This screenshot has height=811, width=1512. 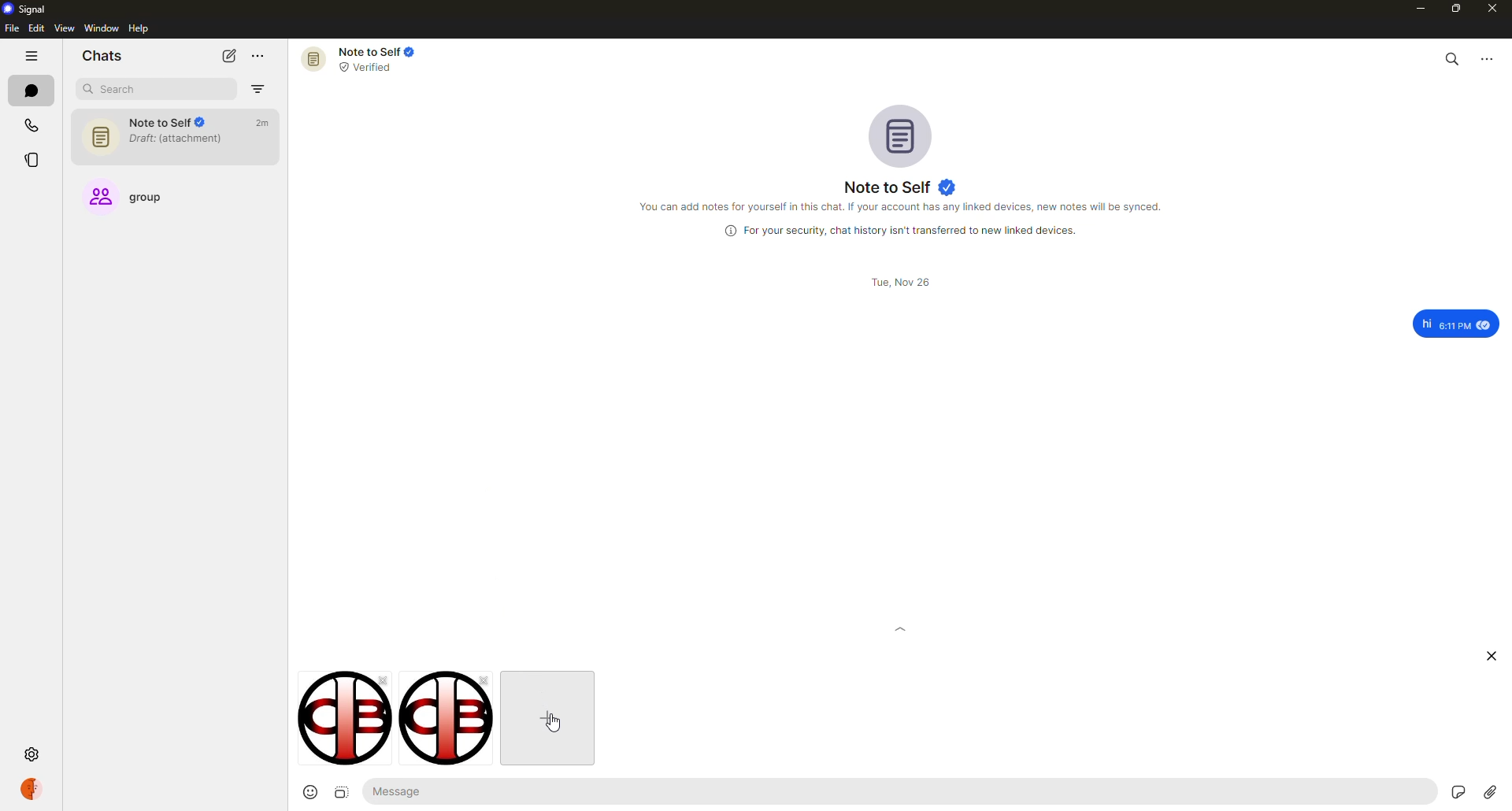 I want to click on cursor on add, so click(x=549, y=720).